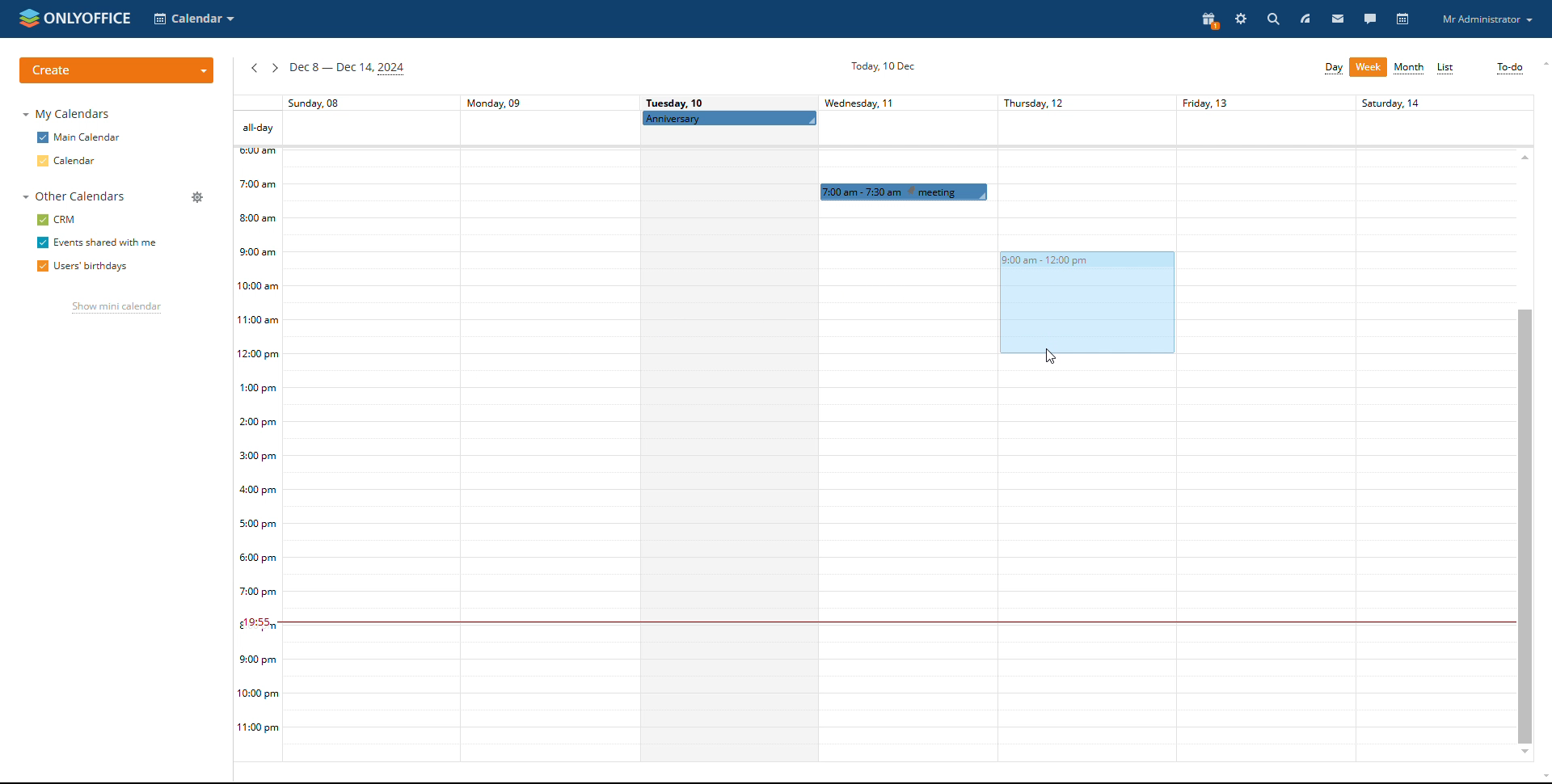 This screenshot has height=784, width=1552. What do you see at coordinates (904, 483) in the screenshot?
I see `wednesday` at bounding box center [904, 483].